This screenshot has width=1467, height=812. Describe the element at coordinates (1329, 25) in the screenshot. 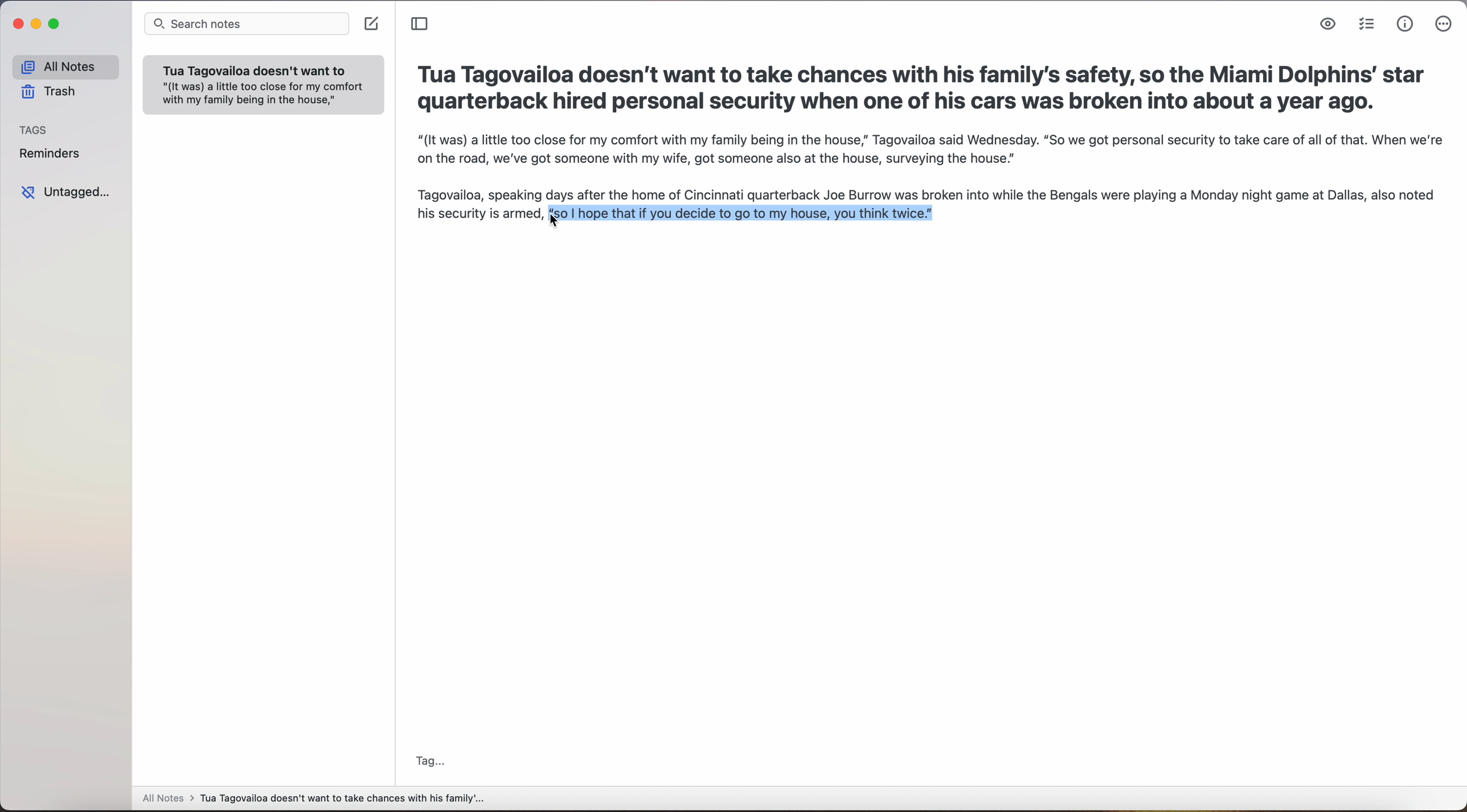

I see `markdown` at that location.